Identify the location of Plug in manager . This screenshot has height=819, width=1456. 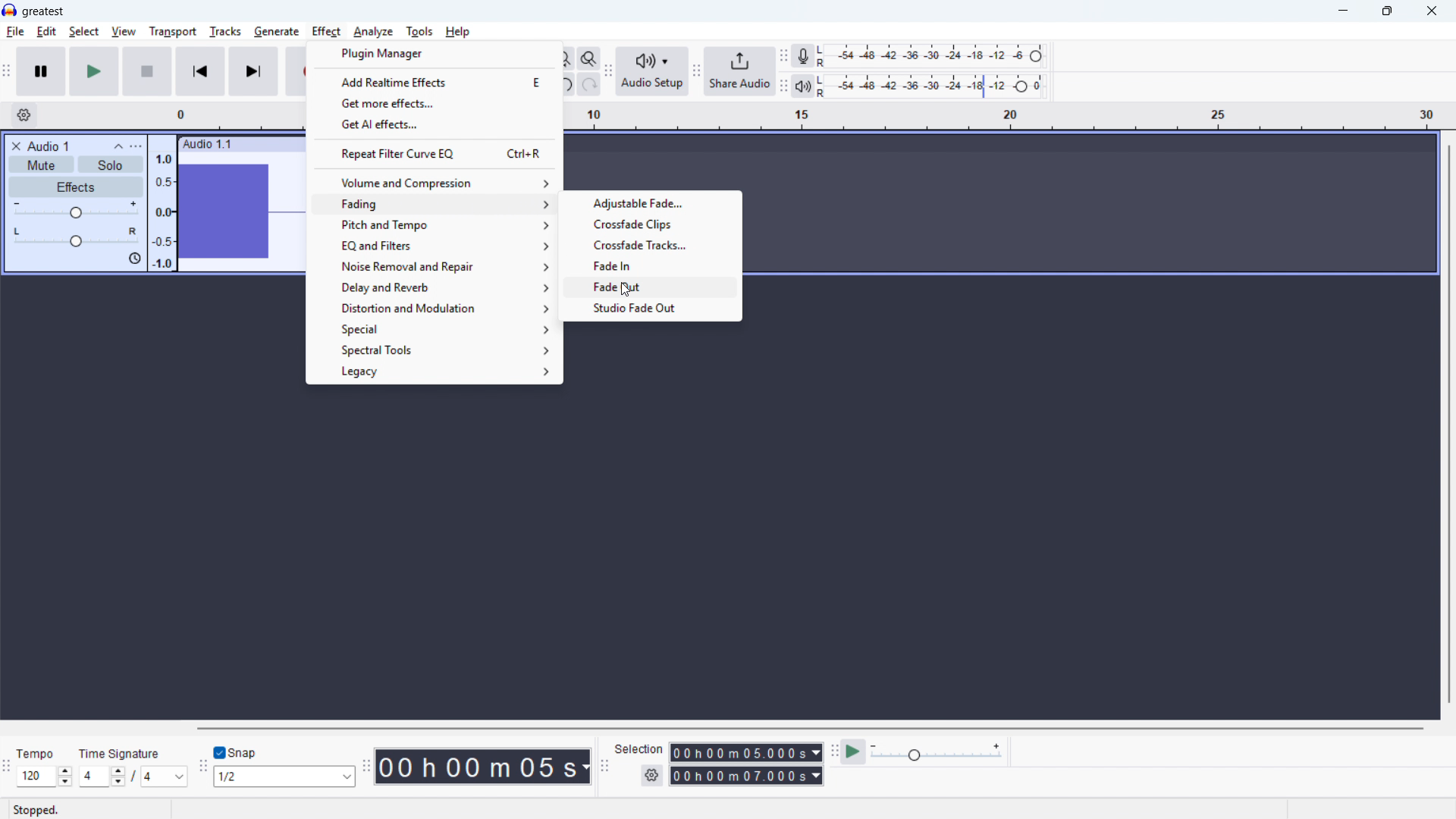
(434, 53).